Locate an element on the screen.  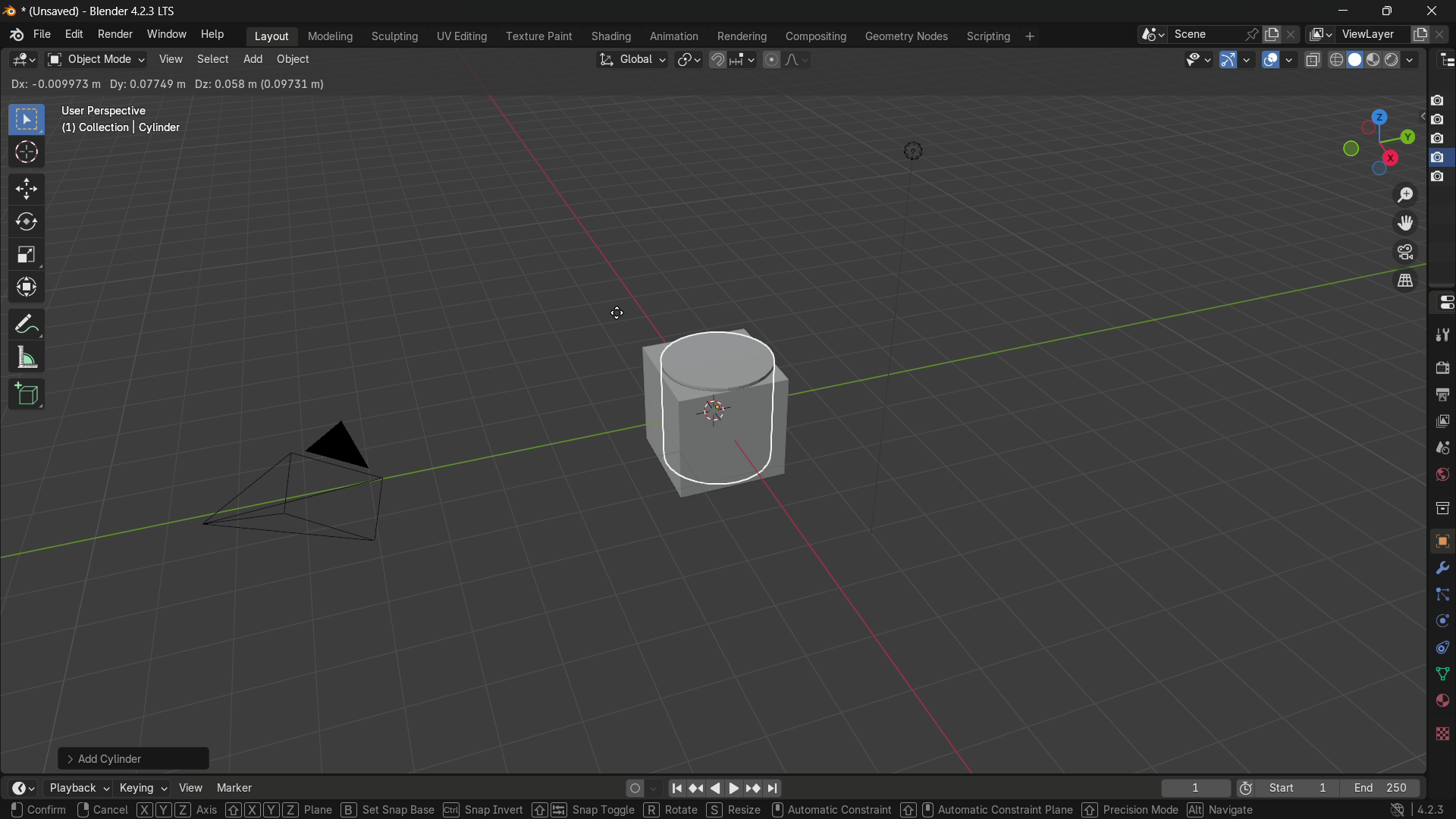
sculpting menu is located at coordinates (395, 37).